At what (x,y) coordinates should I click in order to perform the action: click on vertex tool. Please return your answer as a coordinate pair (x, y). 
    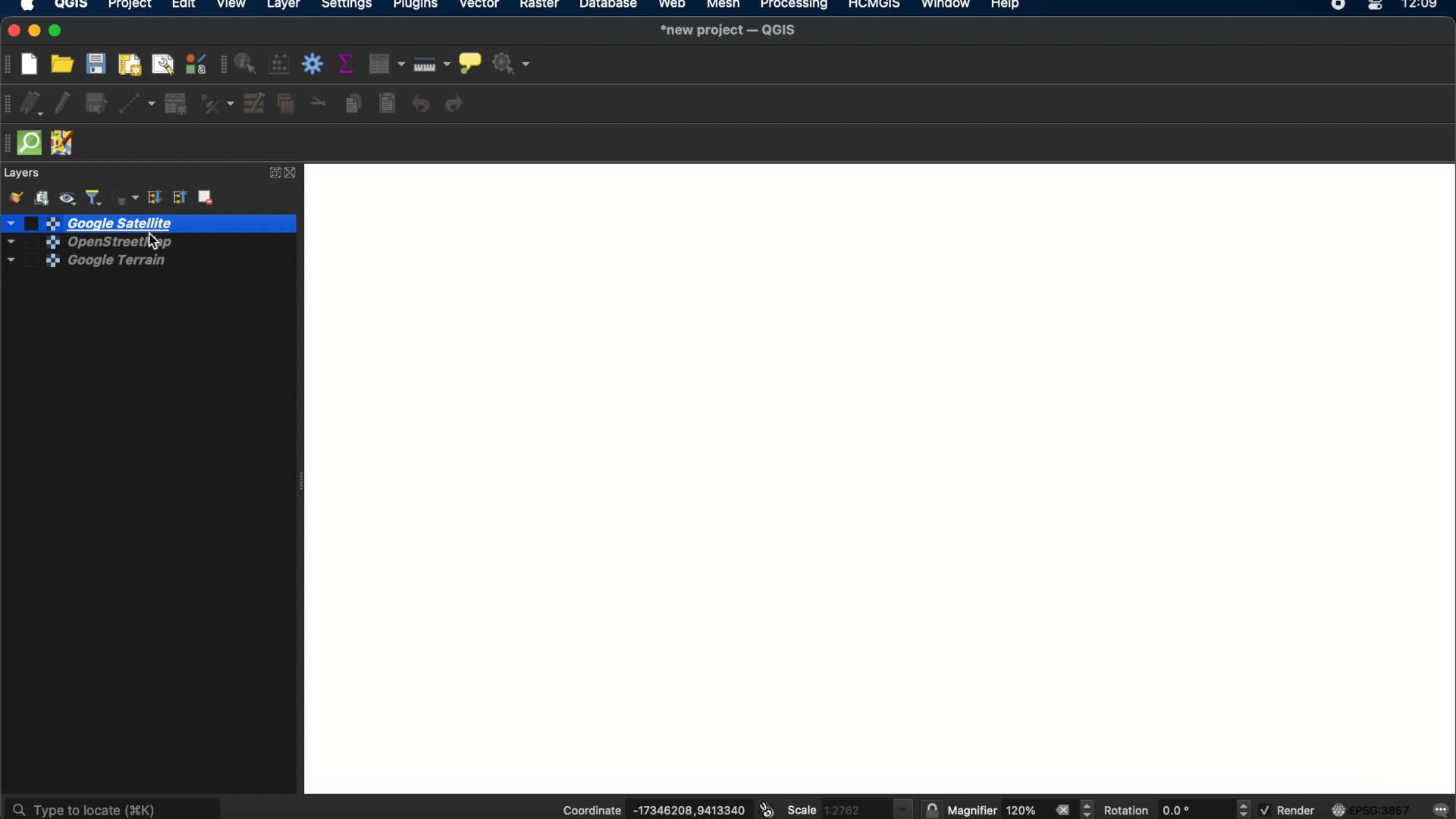
    Looking at the image, I should click on (217, 105).